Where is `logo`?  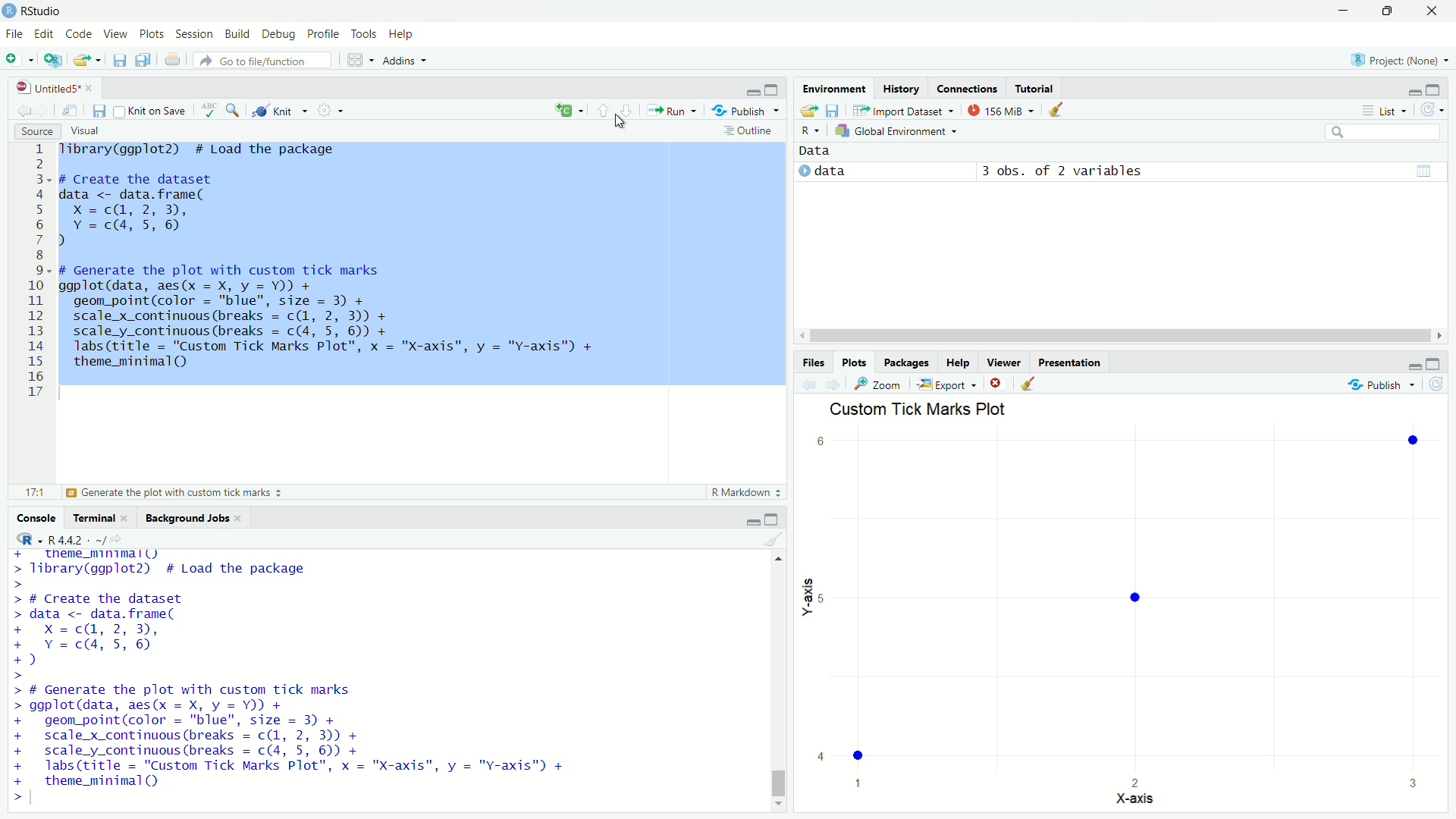
logo is located at coordinates (9, 11).